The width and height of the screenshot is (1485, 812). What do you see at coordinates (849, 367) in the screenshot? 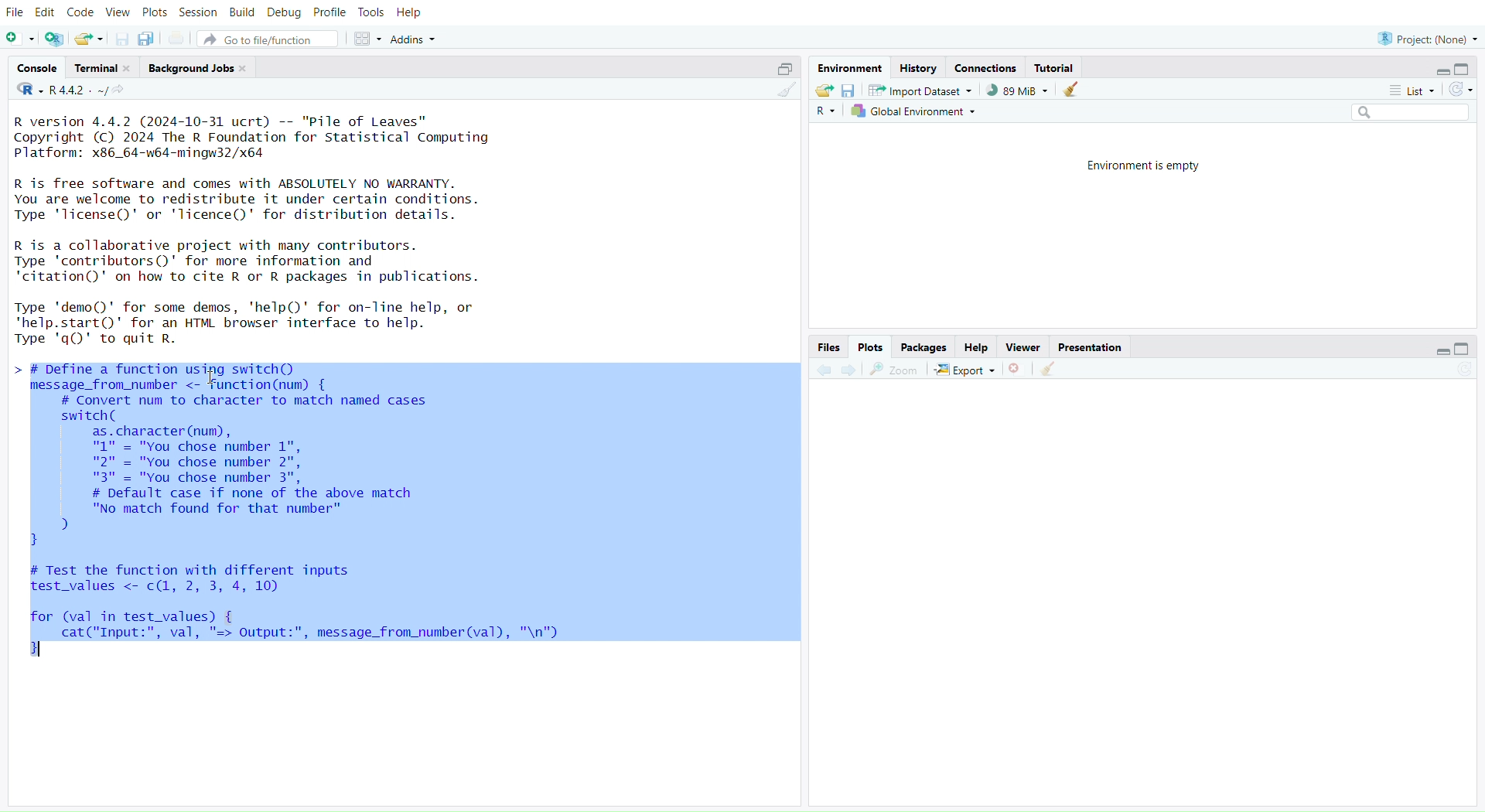
I see `Go forward to the next source location (Ctrl + F10)` at bounding box center [849, 367].